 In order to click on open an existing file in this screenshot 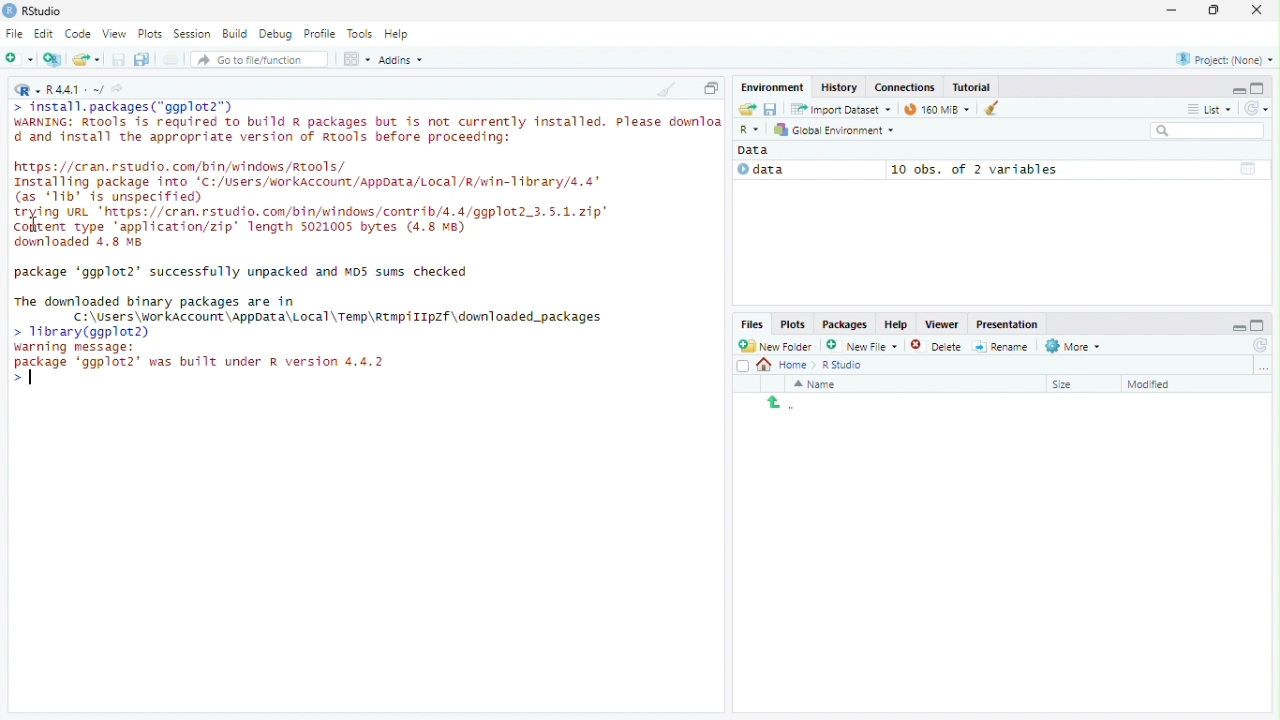, I will do `click(89, 59)`.